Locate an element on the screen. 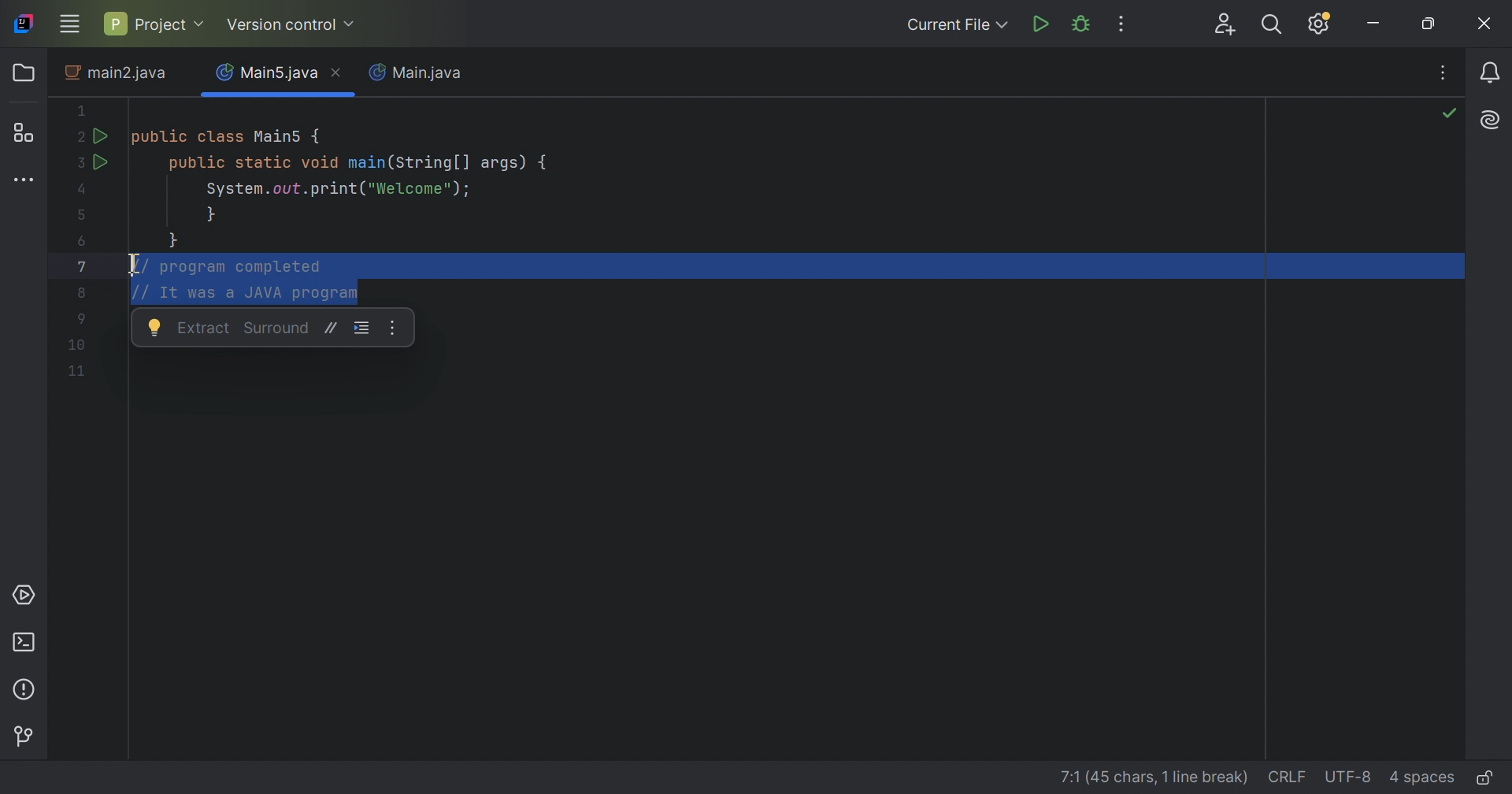 The width and height of the screenshot is (1512, 794). This java code defines a main class with a main method. IT prints "Welcome" to the console. is located at coordinates (312, 173).